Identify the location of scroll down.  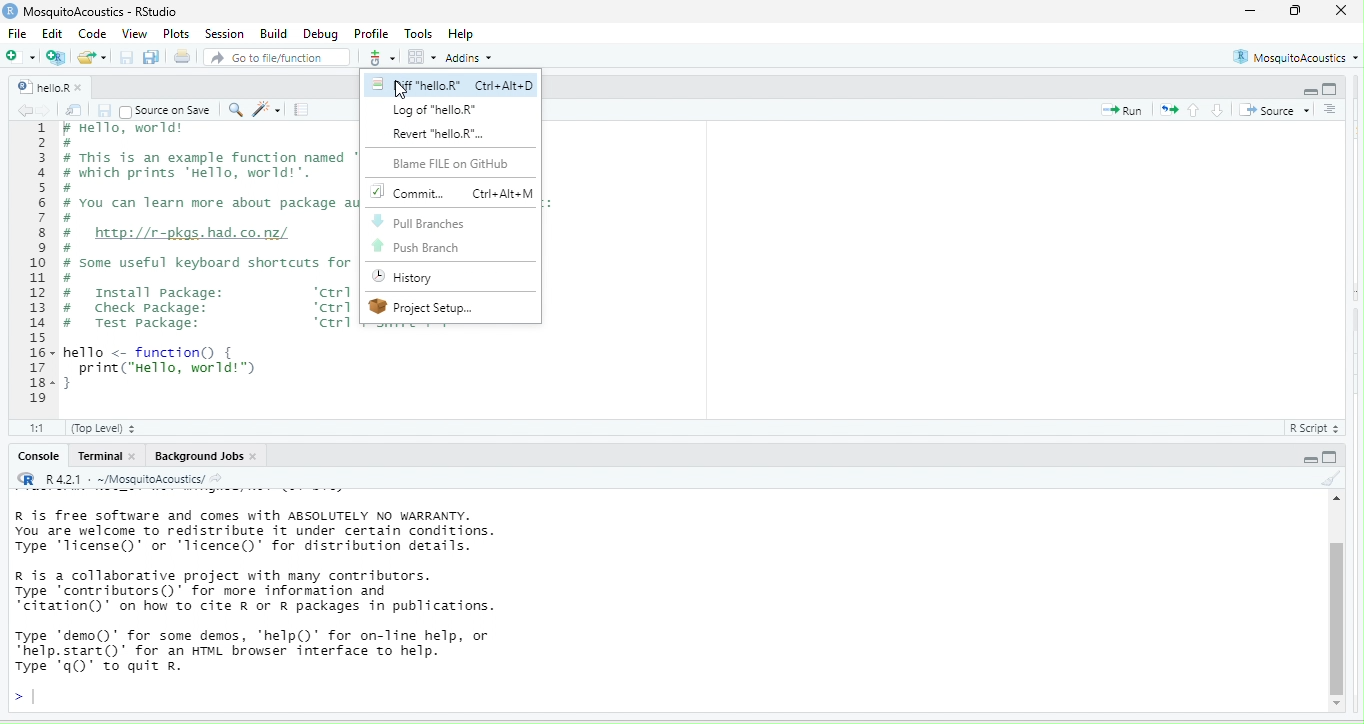
(1338, 703).